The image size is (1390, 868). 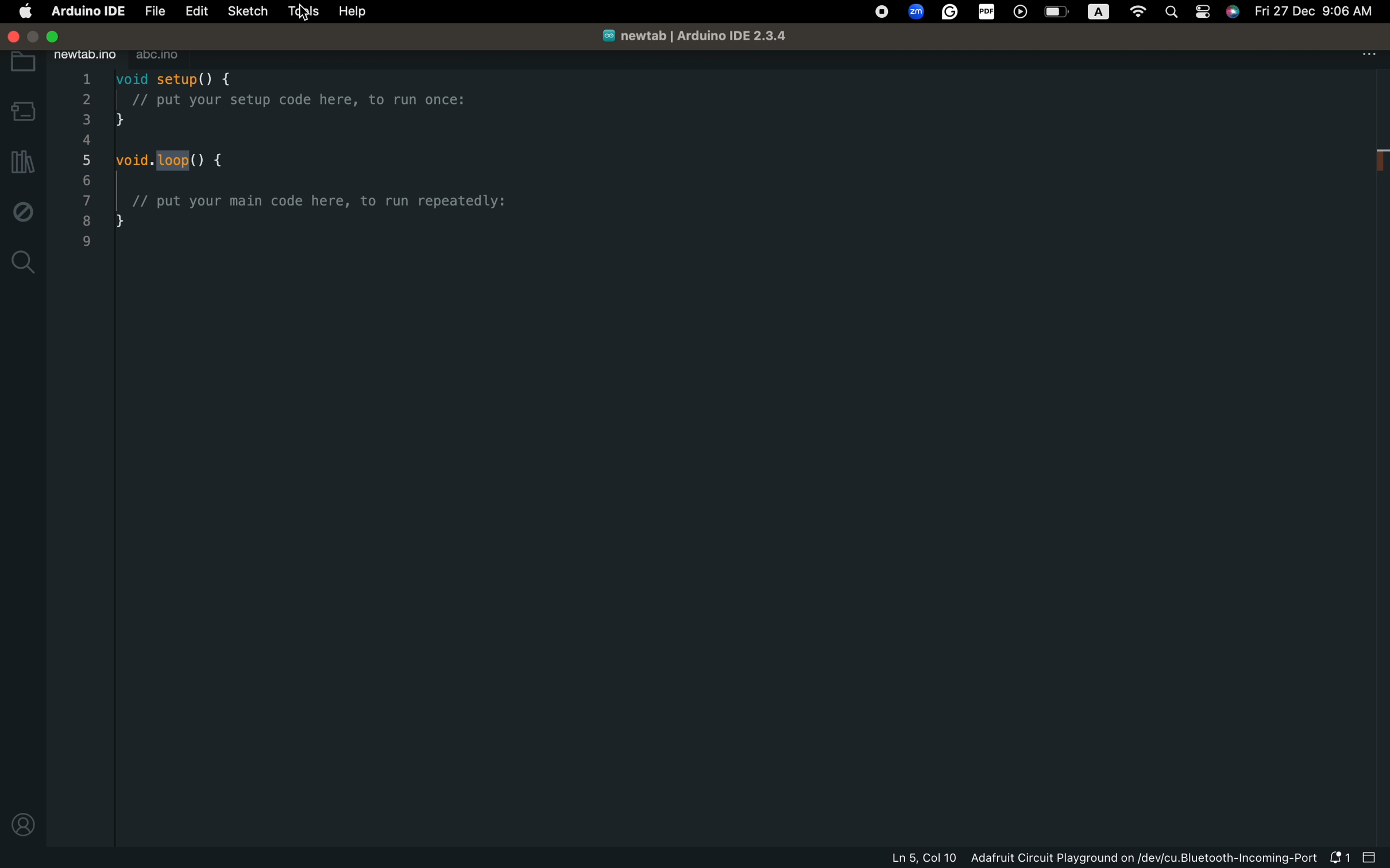 I want to click on sketch, so click(x=247, y=12).